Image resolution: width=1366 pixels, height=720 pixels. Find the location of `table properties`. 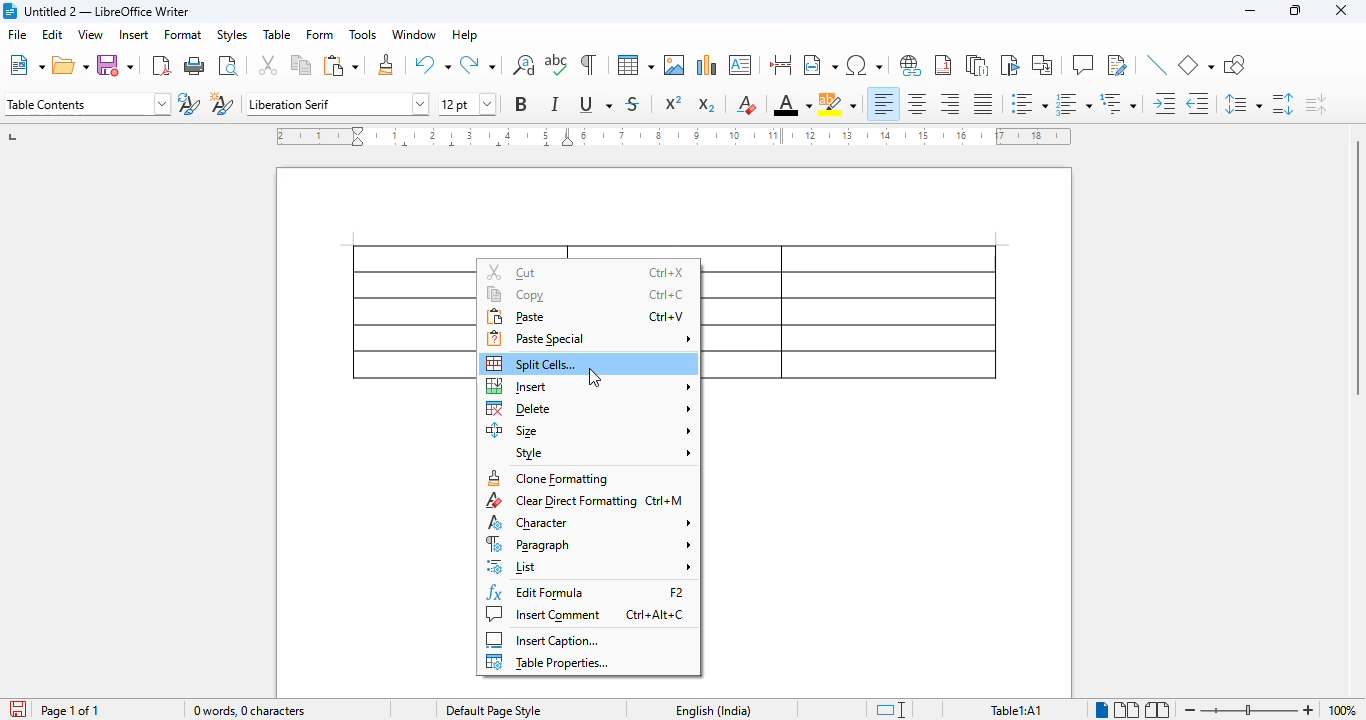

table properties is located at coordinates (549, 662).